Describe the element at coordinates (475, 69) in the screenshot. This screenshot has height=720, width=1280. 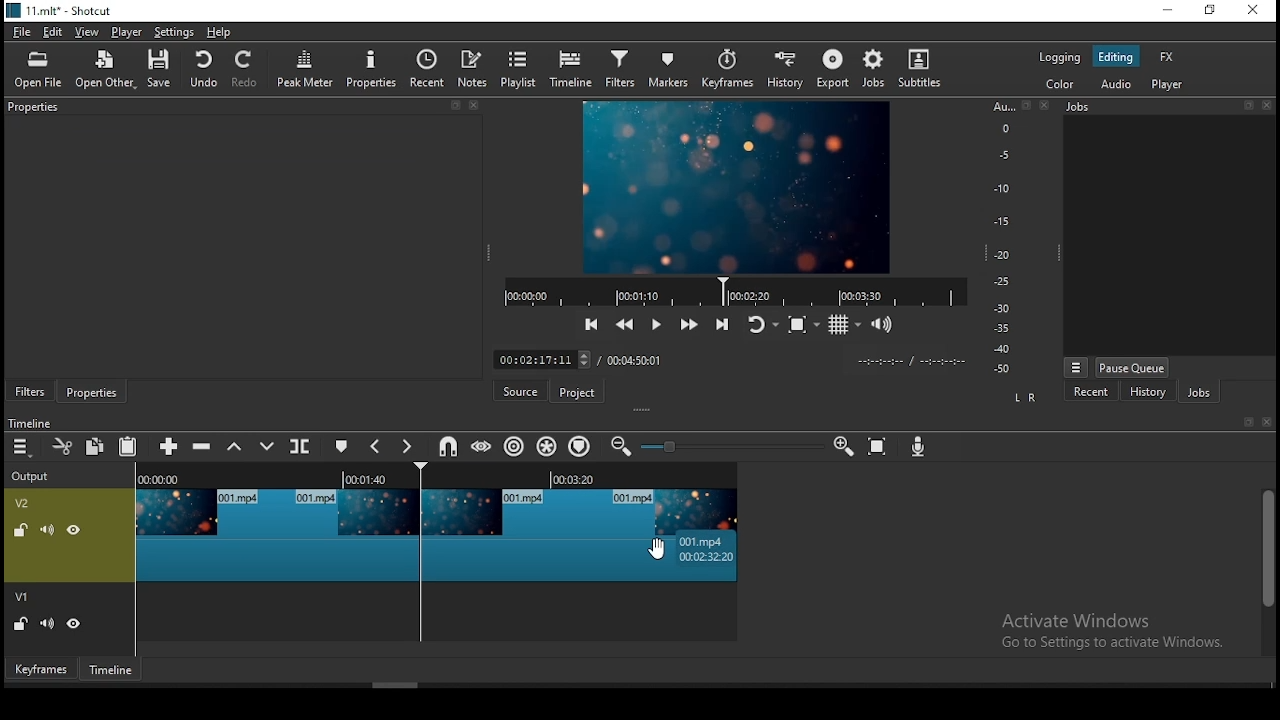
I see `notes` at that location.